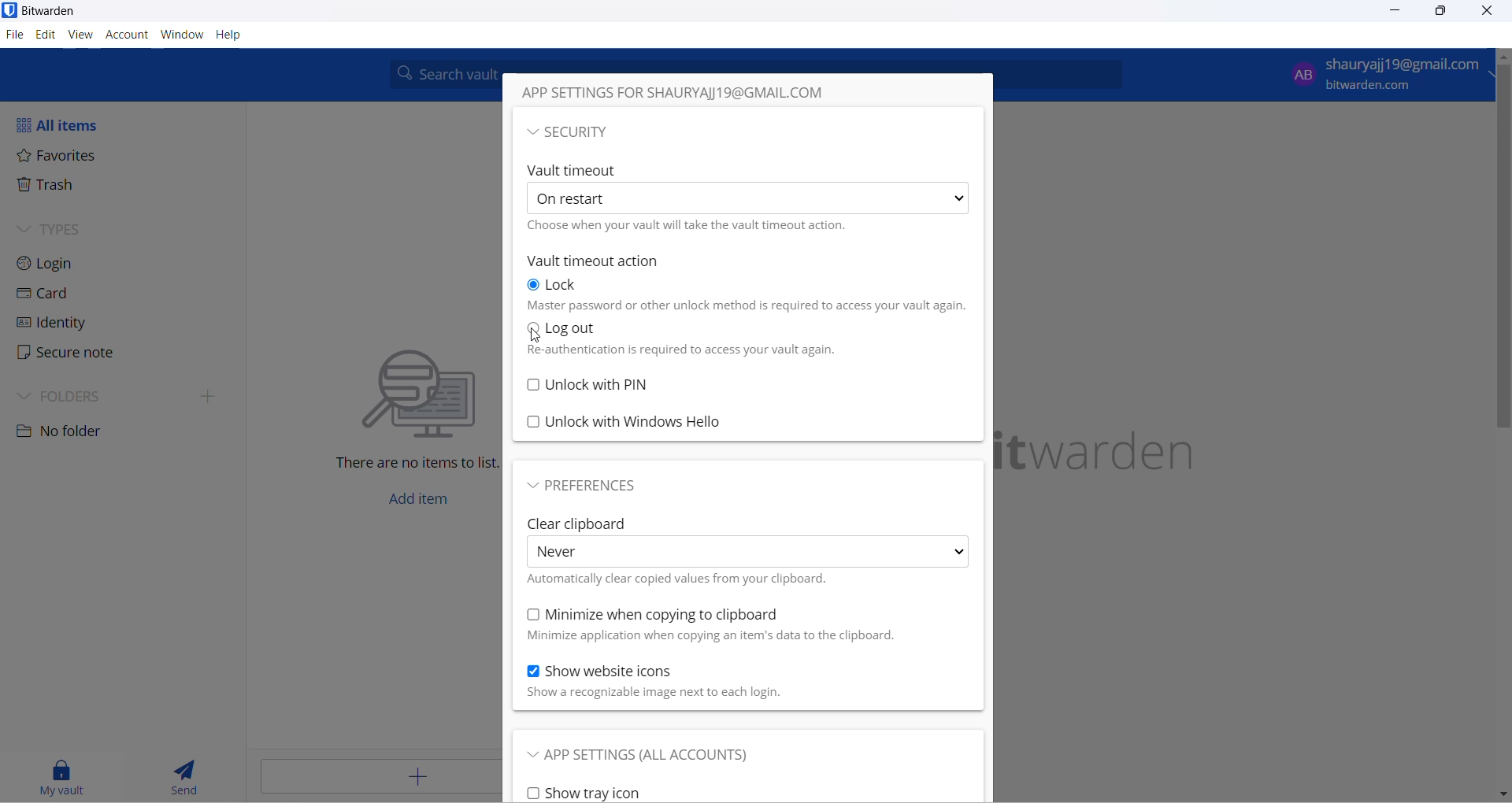 This screenshot has height=803, width=1512. Describe the element at coordinates (228, 35) in the screenshot. I see `Help` at that location.